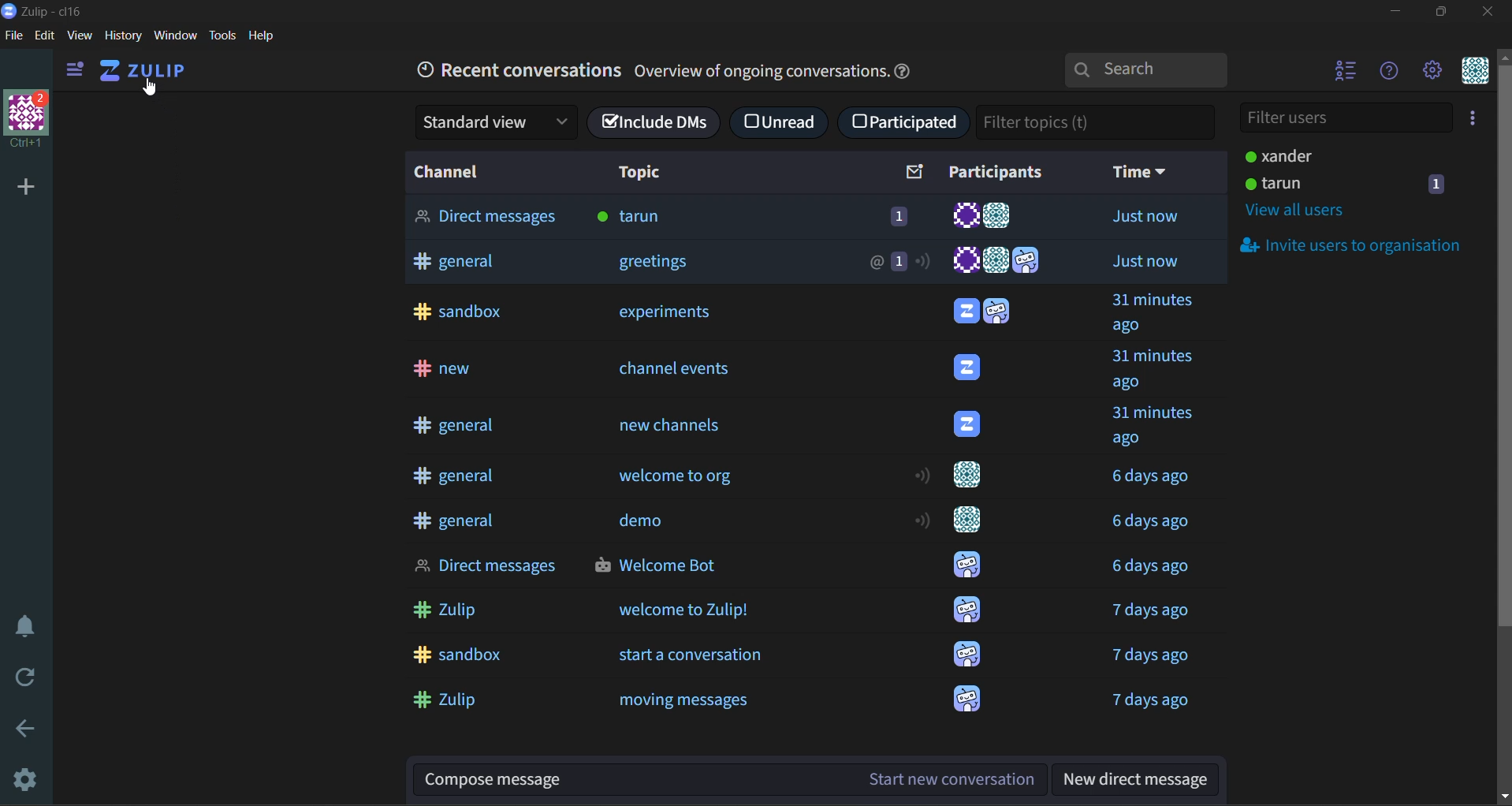 Image resolution: width=1512 pixels, height=806 pixels. I want to click on time, so click(1147, 170).